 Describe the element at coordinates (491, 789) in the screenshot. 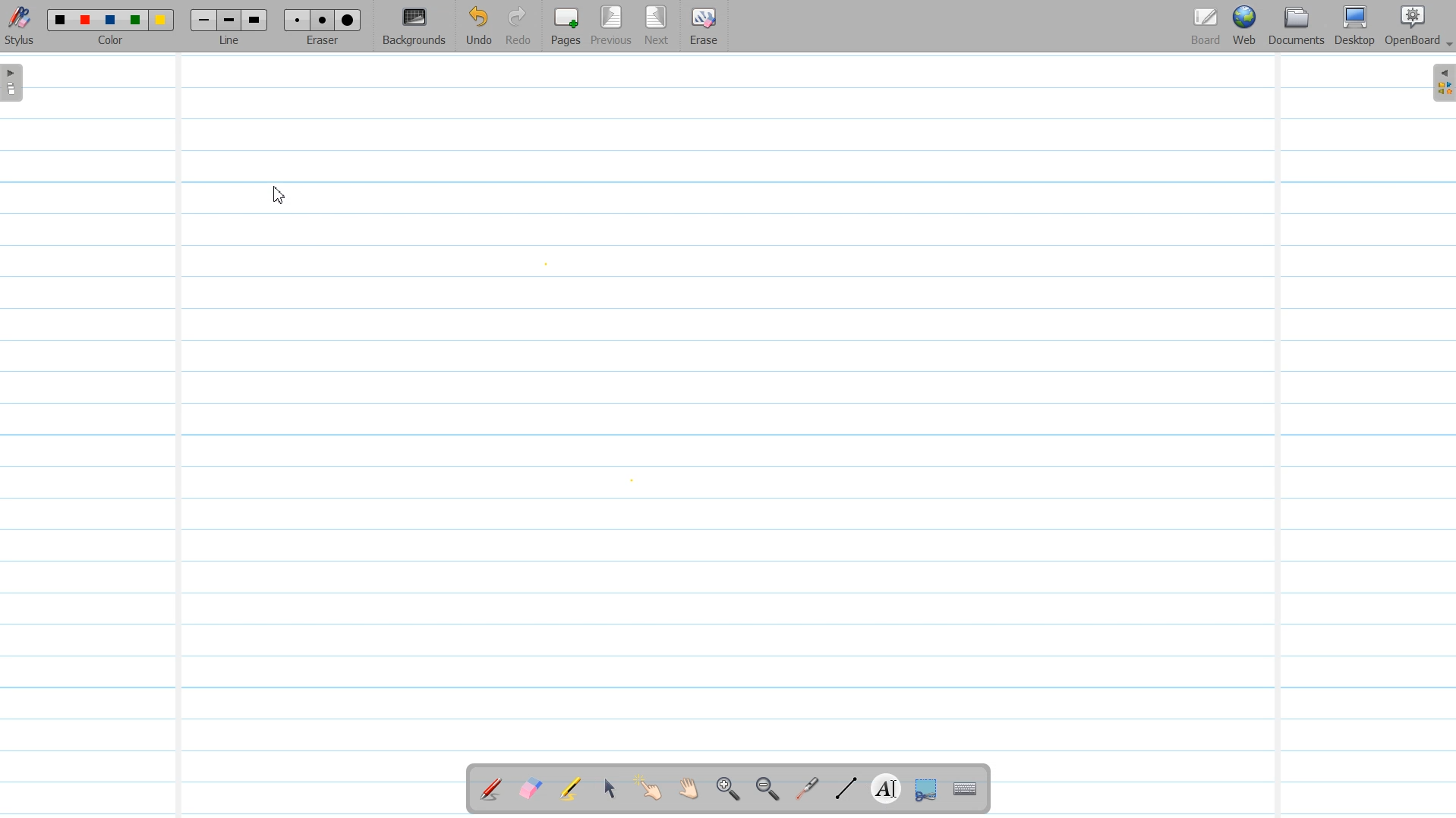

I see `Annotate Document` at that location.